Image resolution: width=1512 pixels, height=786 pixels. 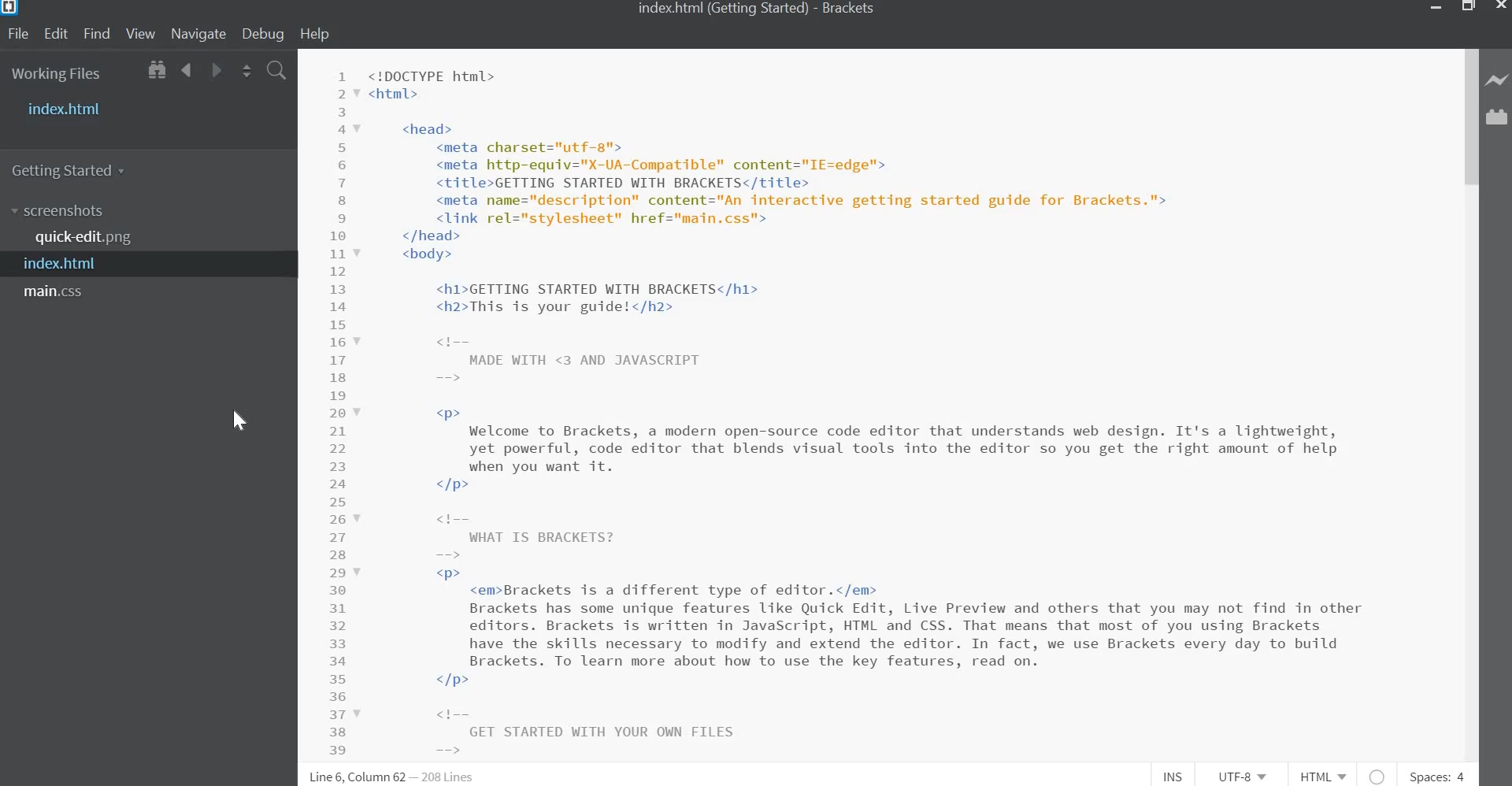 I want to click on Extension Manager, so click(x=1499, y=121).